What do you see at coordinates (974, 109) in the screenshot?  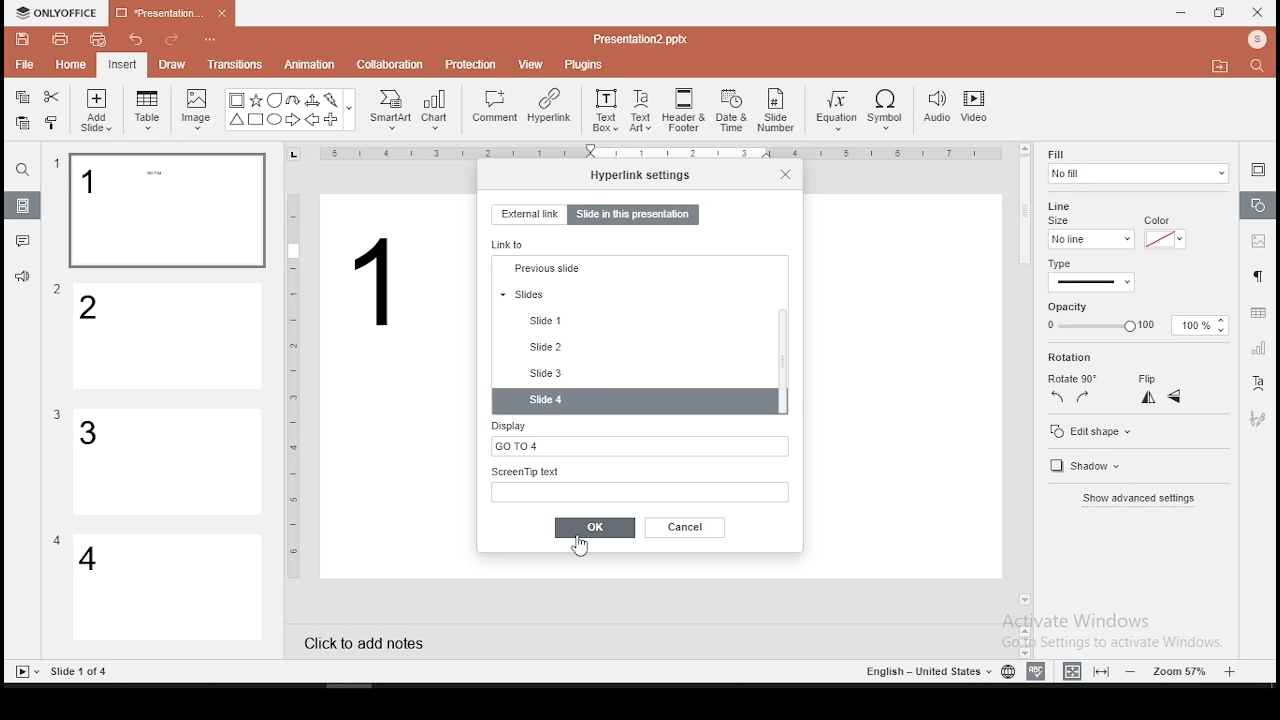 I see `video` at bounding box center [974, 109].